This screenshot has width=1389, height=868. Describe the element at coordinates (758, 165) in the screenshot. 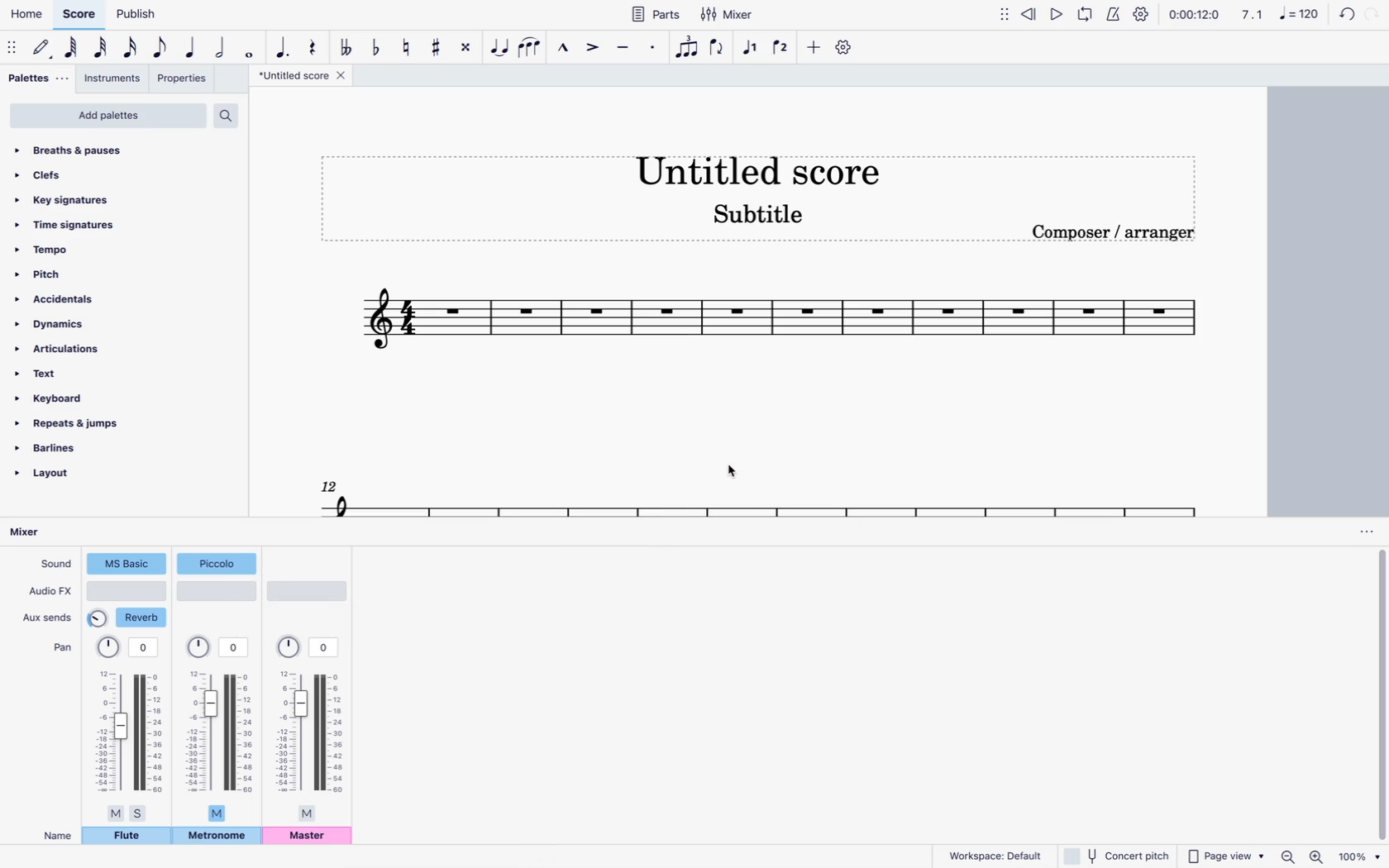

I see `score title` at that location.